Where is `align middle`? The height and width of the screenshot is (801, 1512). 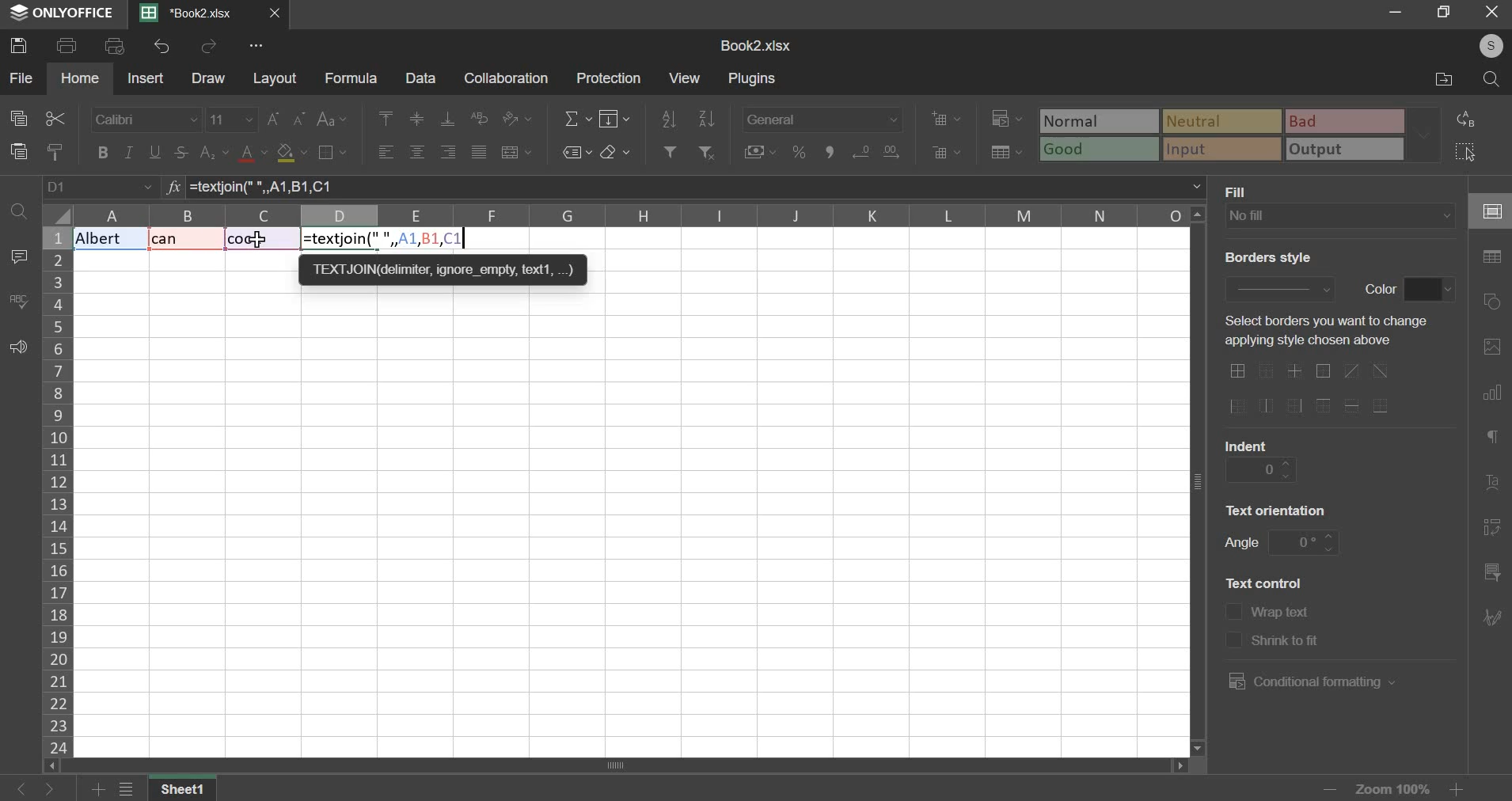
align middle is located at coordinates (419, 119).